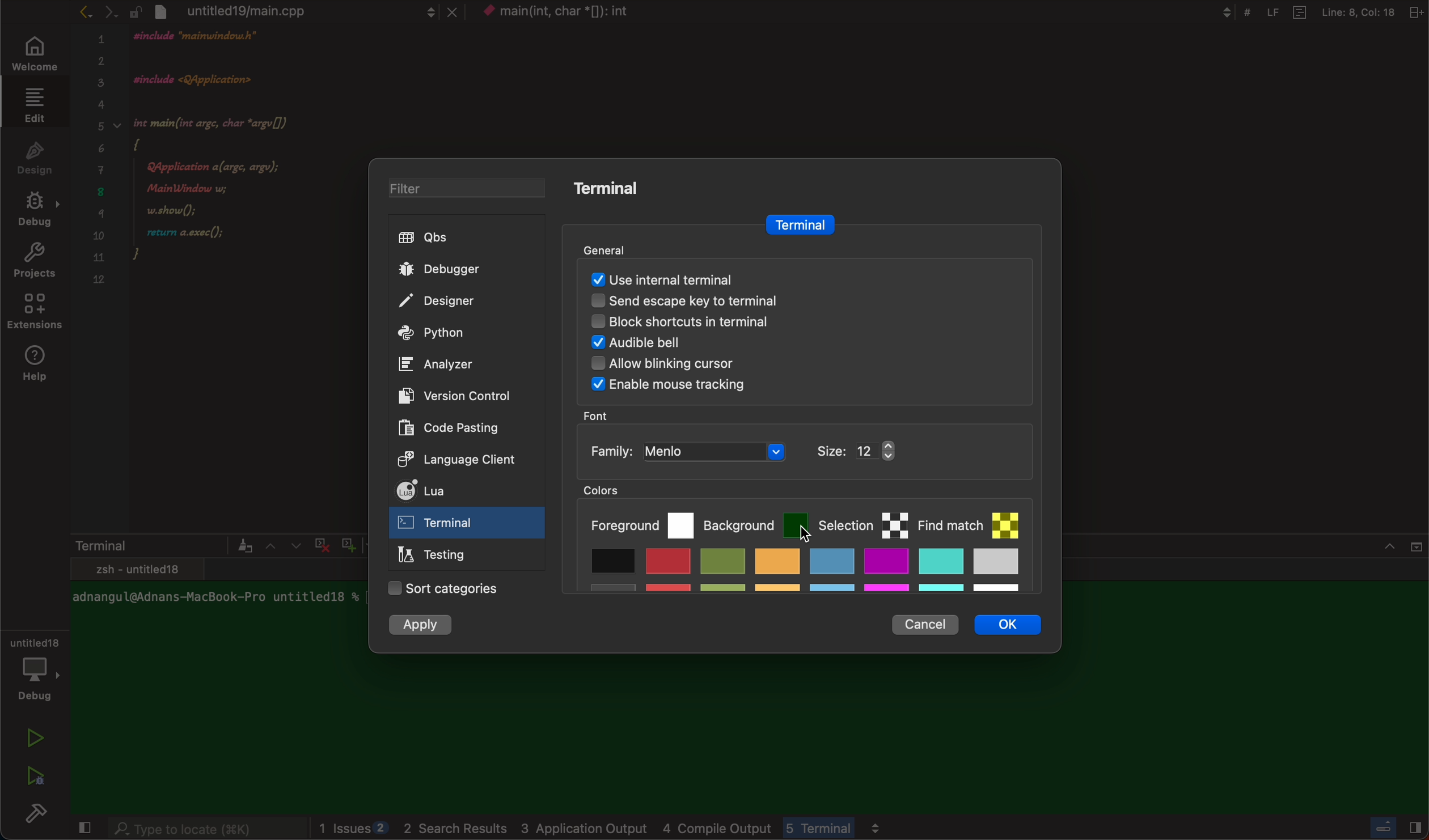 The image size is (1429, 840). What do you see at coordinates (459, 269) in the screenshot?
I see `debugger` at bounding box center [459, 269].